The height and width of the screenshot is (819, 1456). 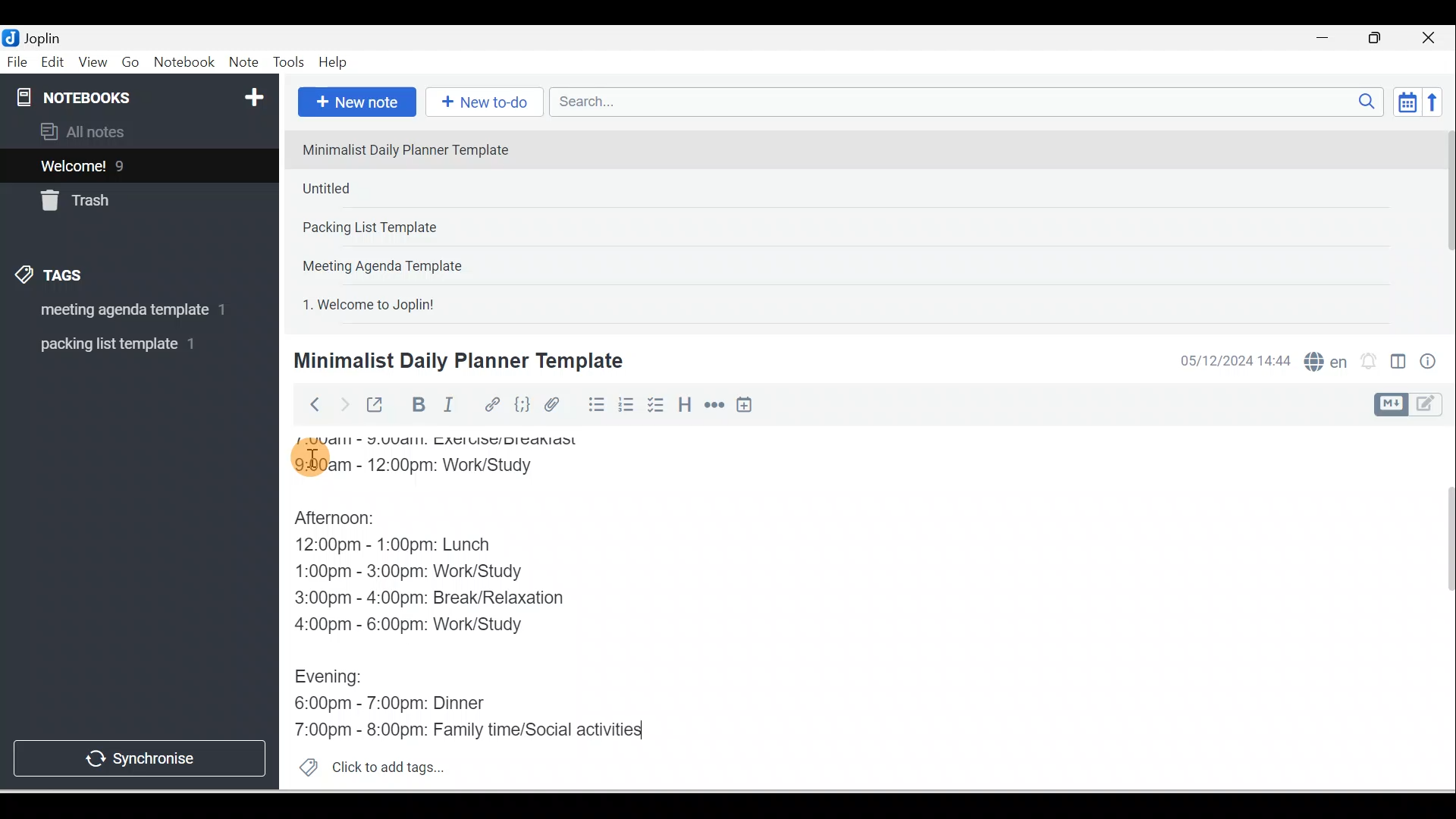 I want to click on Note 1, so click(x=416, y=149).